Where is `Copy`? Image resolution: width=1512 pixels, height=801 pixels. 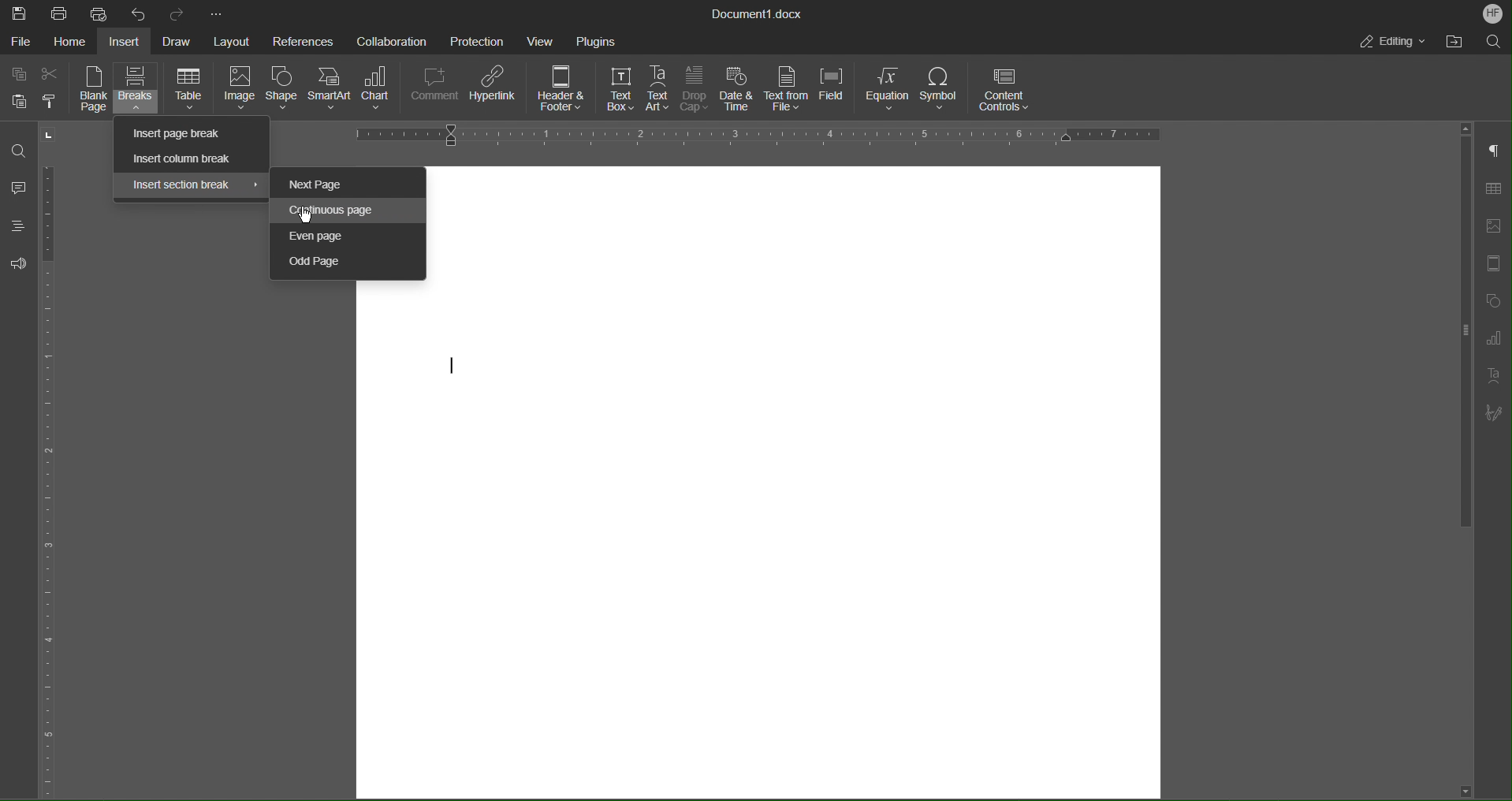
Copy is located at coordinates (19, 74).